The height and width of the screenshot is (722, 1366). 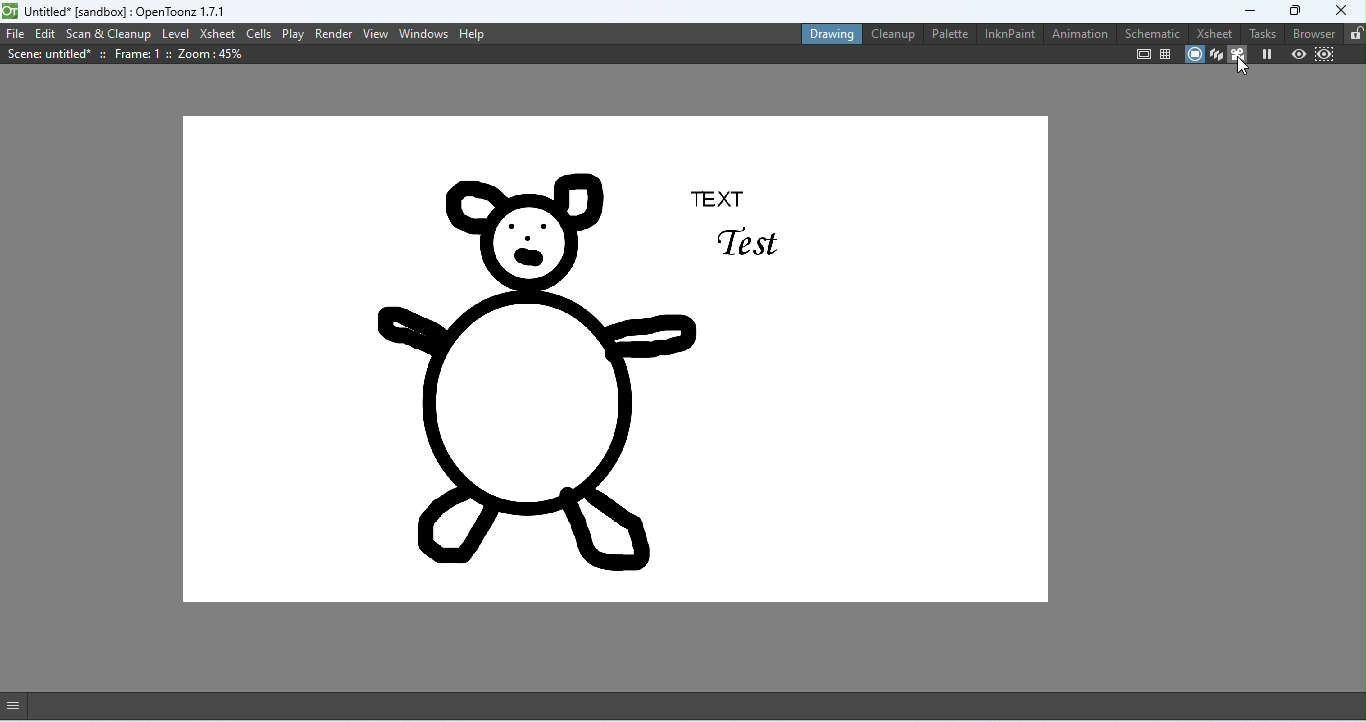 What do you see at coordinates (891, 36) in the screenshot?
I see `Cleanup` at bounding box center [891, 36].